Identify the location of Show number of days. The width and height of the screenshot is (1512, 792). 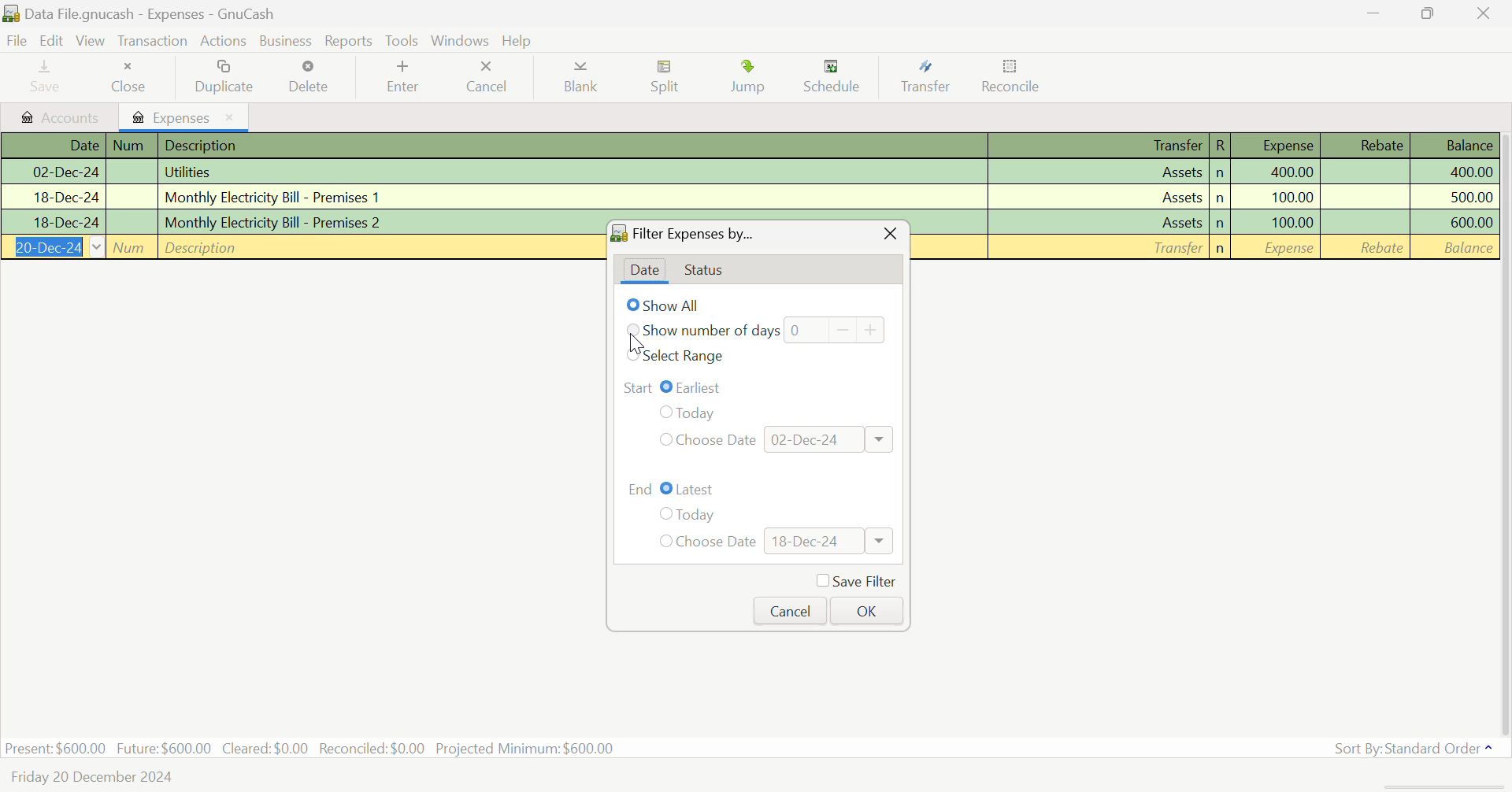
(701, 333).